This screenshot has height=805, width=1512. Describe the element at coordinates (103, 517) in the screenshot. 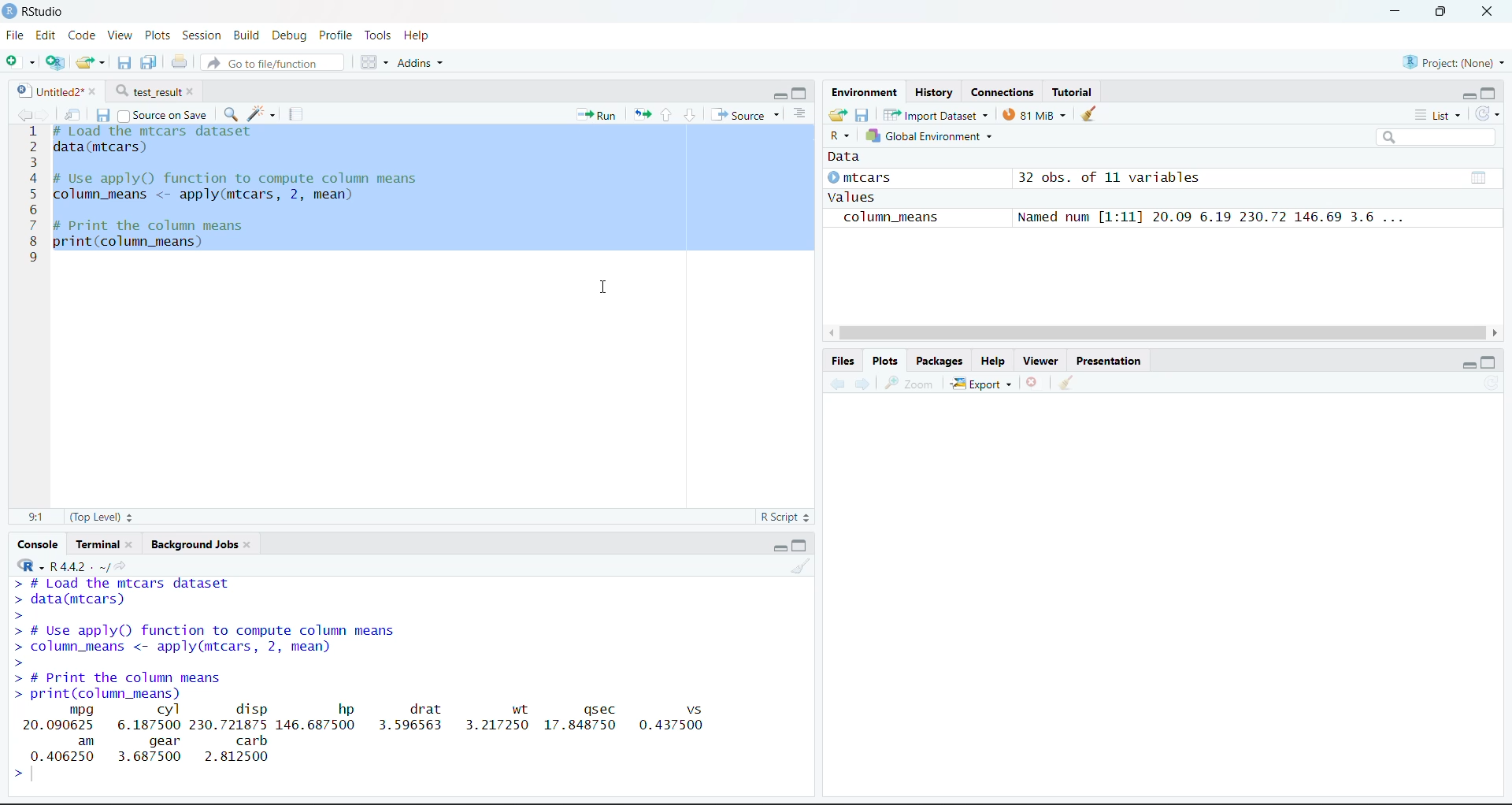

I see `(Top Level):` at that location.